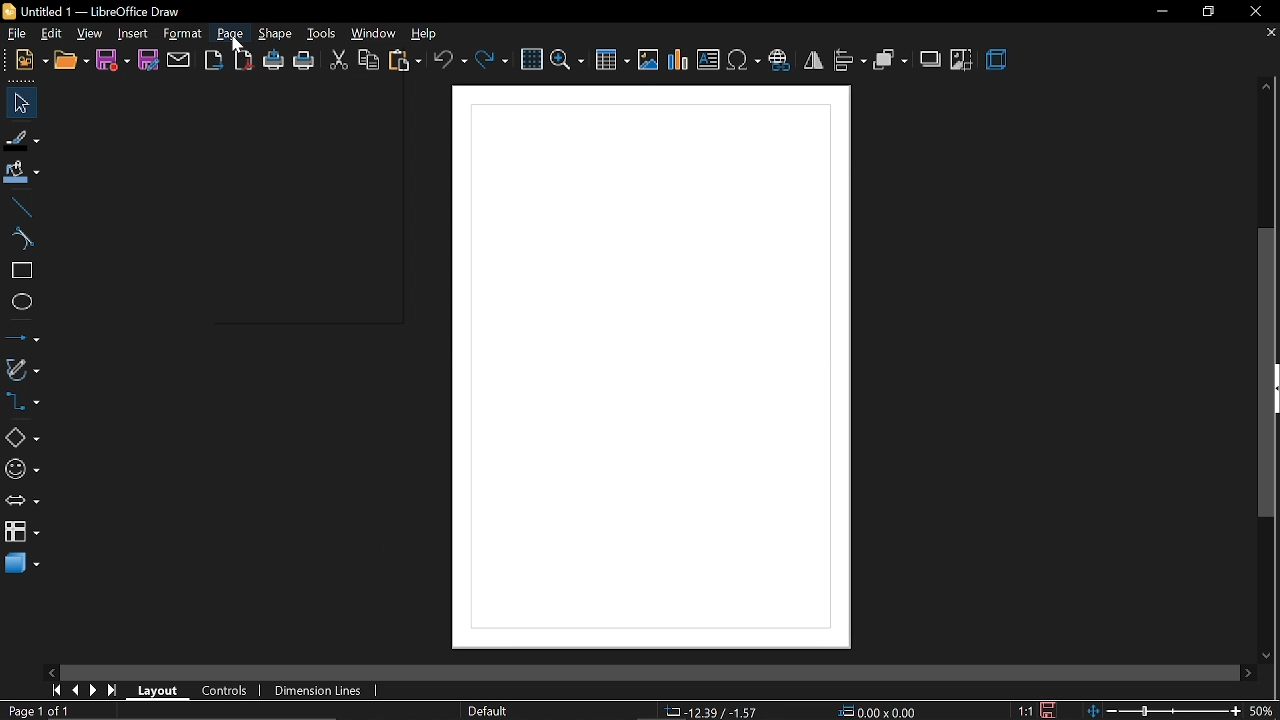  What do you see at coordinates (998, 59) in the screenshot?
I see `3d effect` at bounding box center [998, 59].